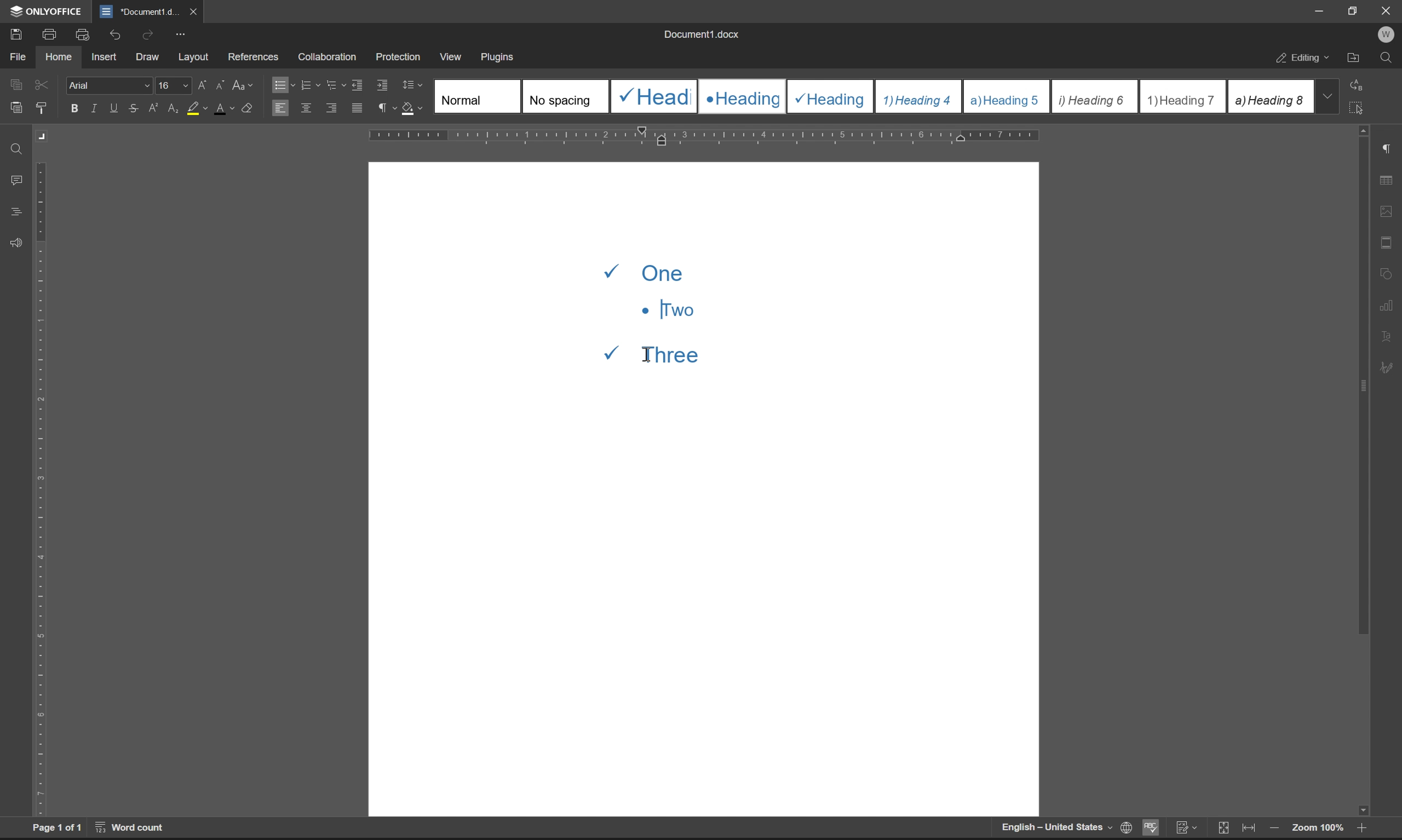 The width and height of the screenshot is (1402, 840). What do you see at coordinates (12, 33) in the screenshot?
I see `save` at bounding box center [12, 33].